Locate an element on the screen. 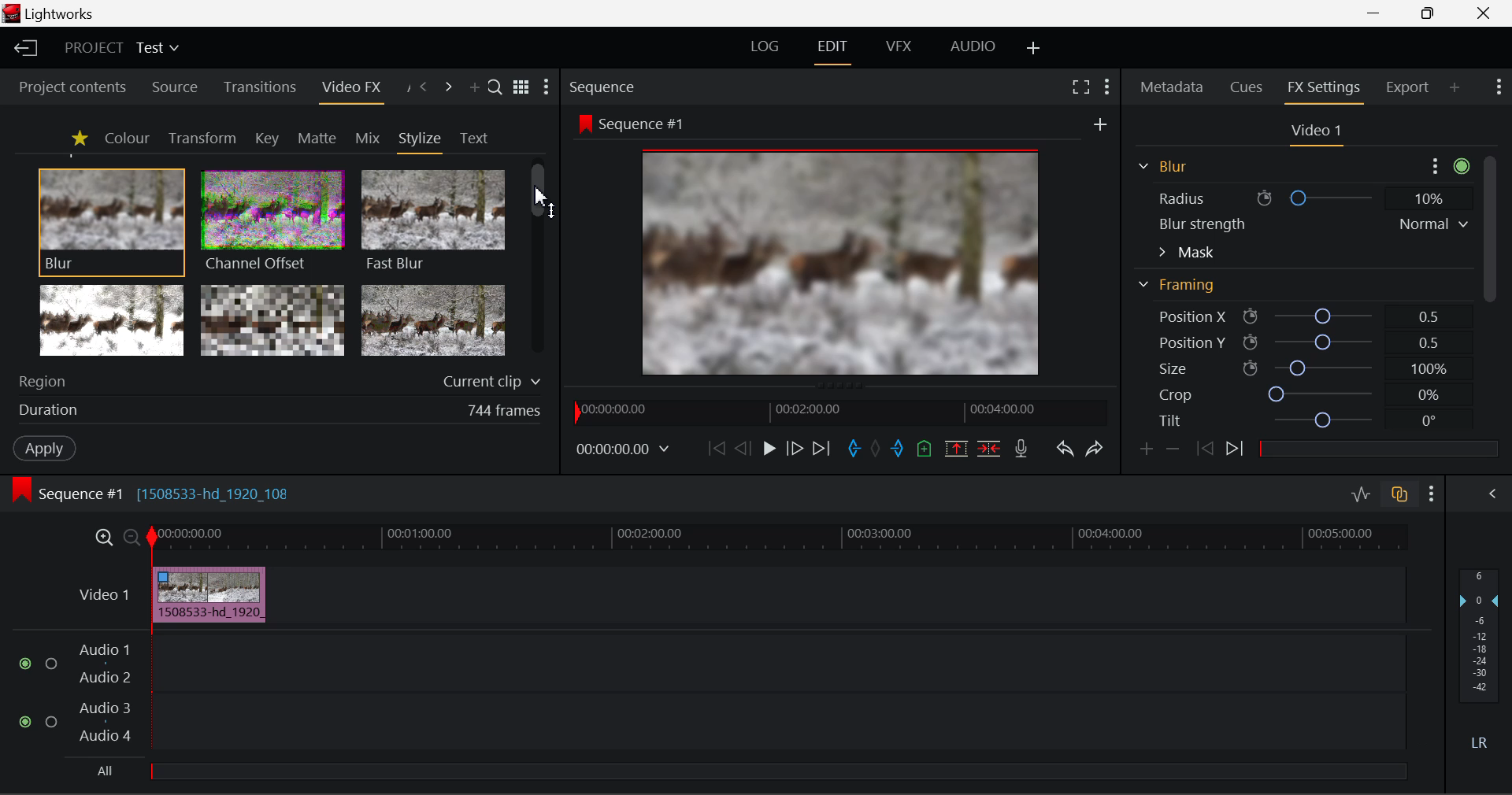 The width and height of the screenshot is (1512, 795). Remove Marked Section is located at coordinates (958, 447).